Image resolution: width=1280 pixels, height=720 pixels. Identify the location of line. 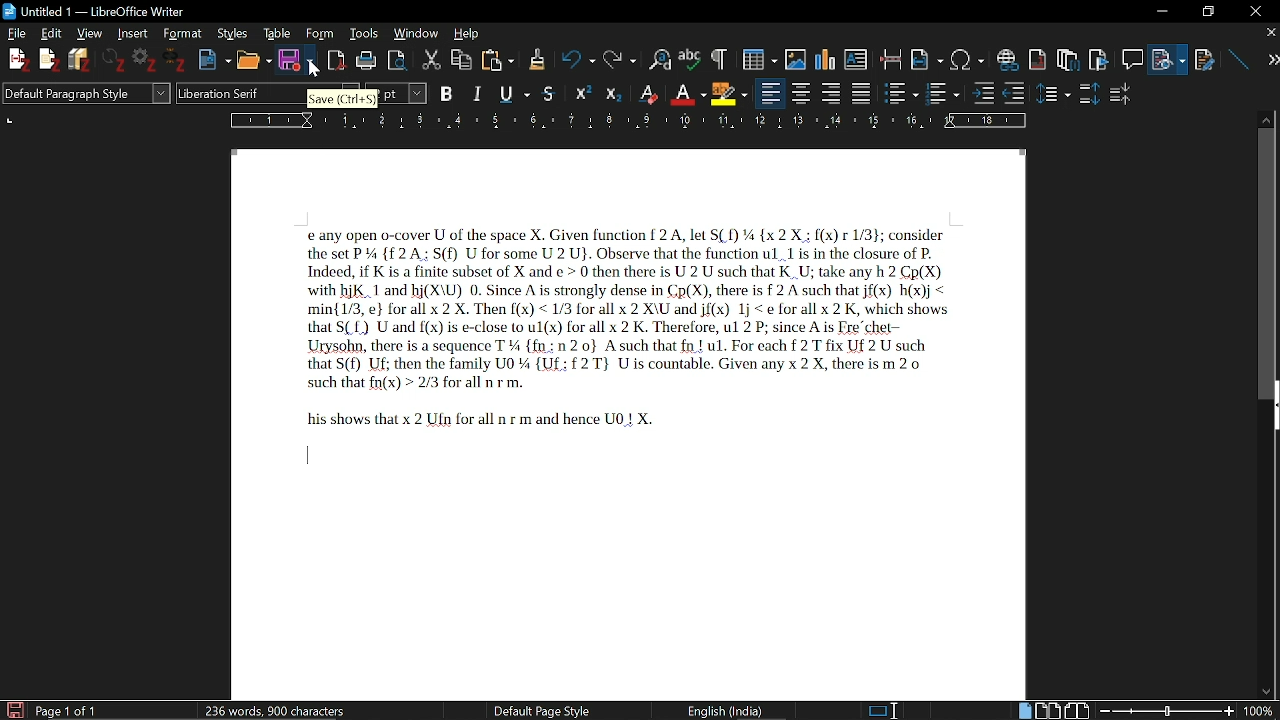
(1236, 56).